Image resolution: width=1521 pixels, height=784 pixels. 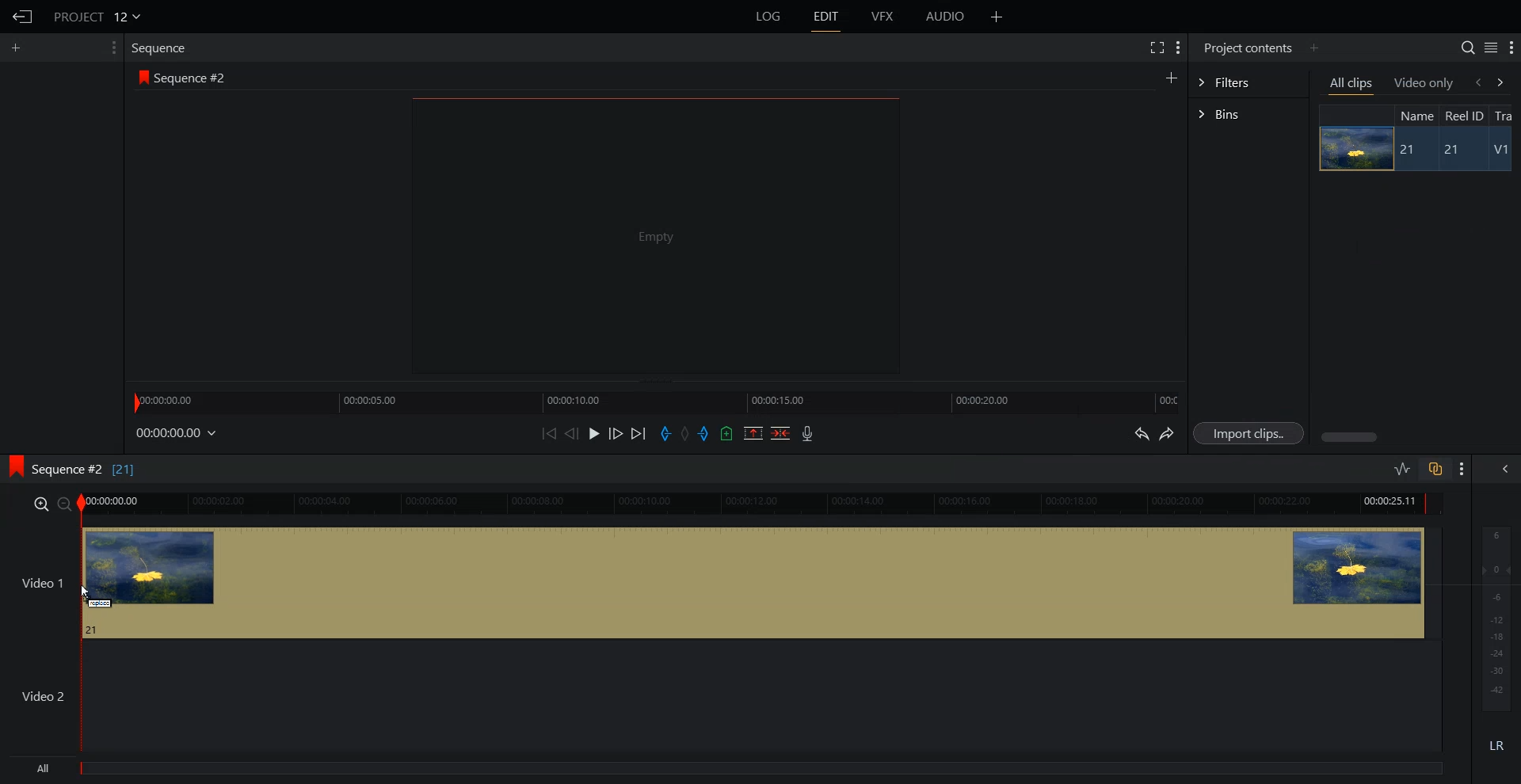 What do you see at coordinates (944, 17) in the screenshot?
I see `AUDIO` at bounding box center [944, 17].